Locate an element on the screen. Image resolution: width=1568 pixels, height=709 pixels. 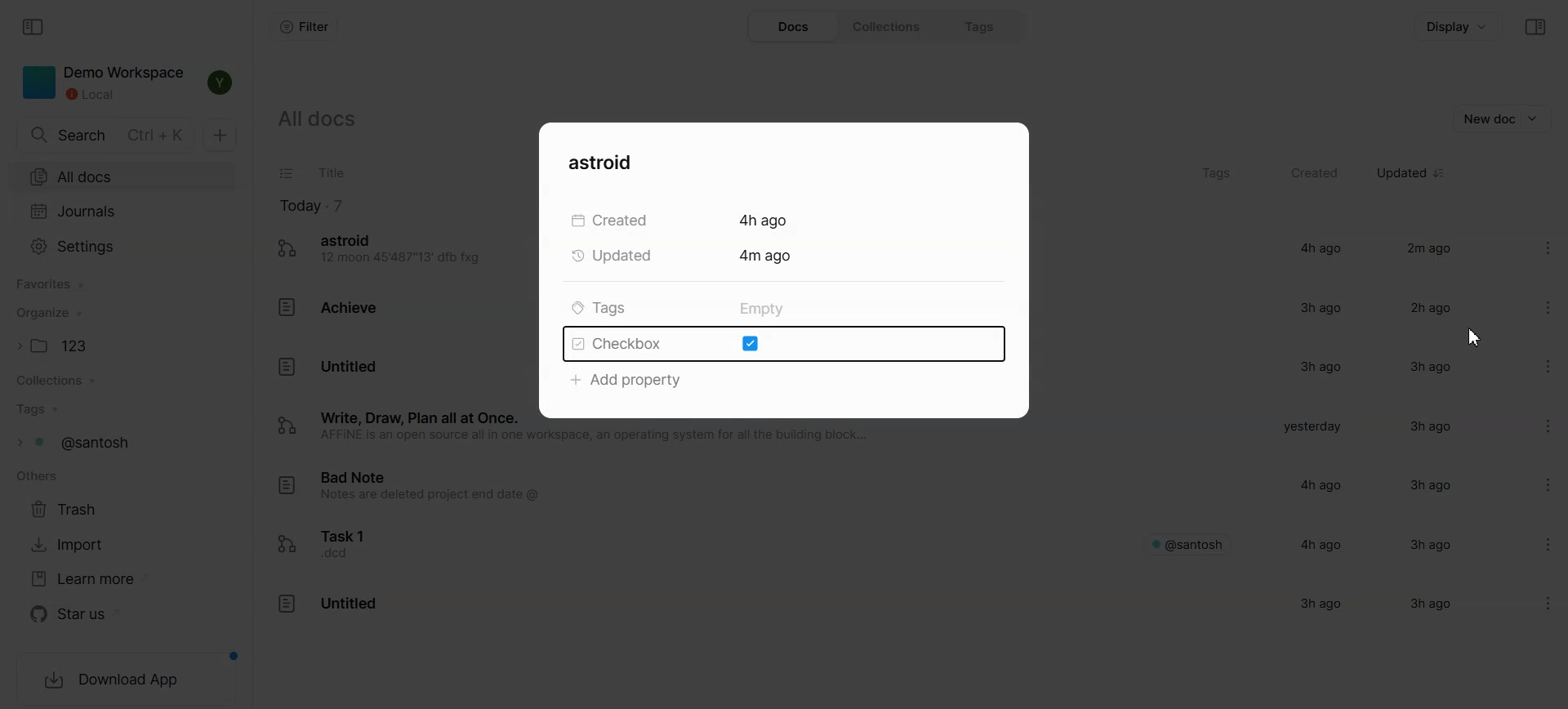
Favorites is located at coordinates (125, 283).